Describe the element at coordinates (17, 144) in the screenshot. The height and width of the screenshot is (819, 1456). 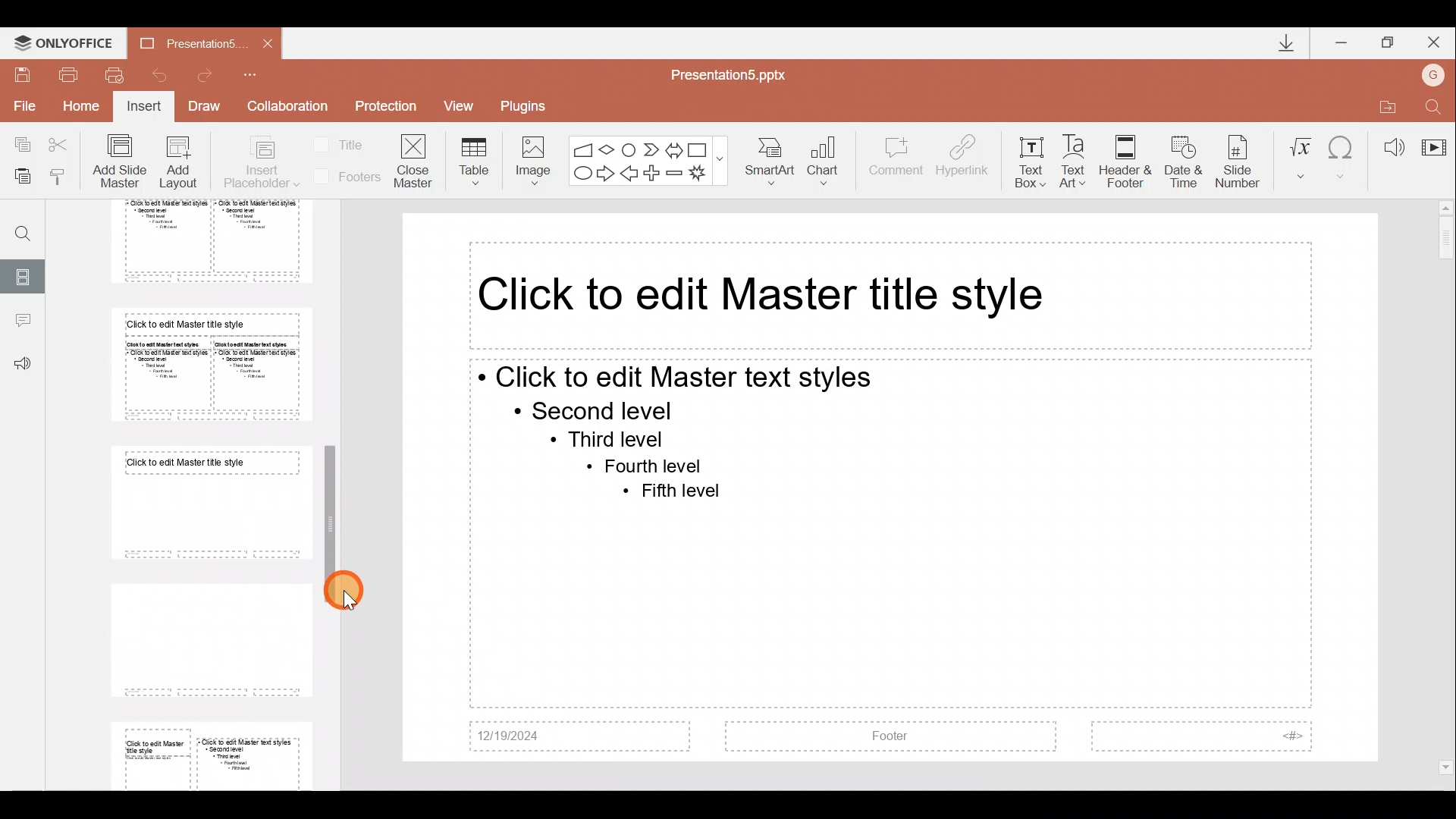
I see `Copy` at that location.